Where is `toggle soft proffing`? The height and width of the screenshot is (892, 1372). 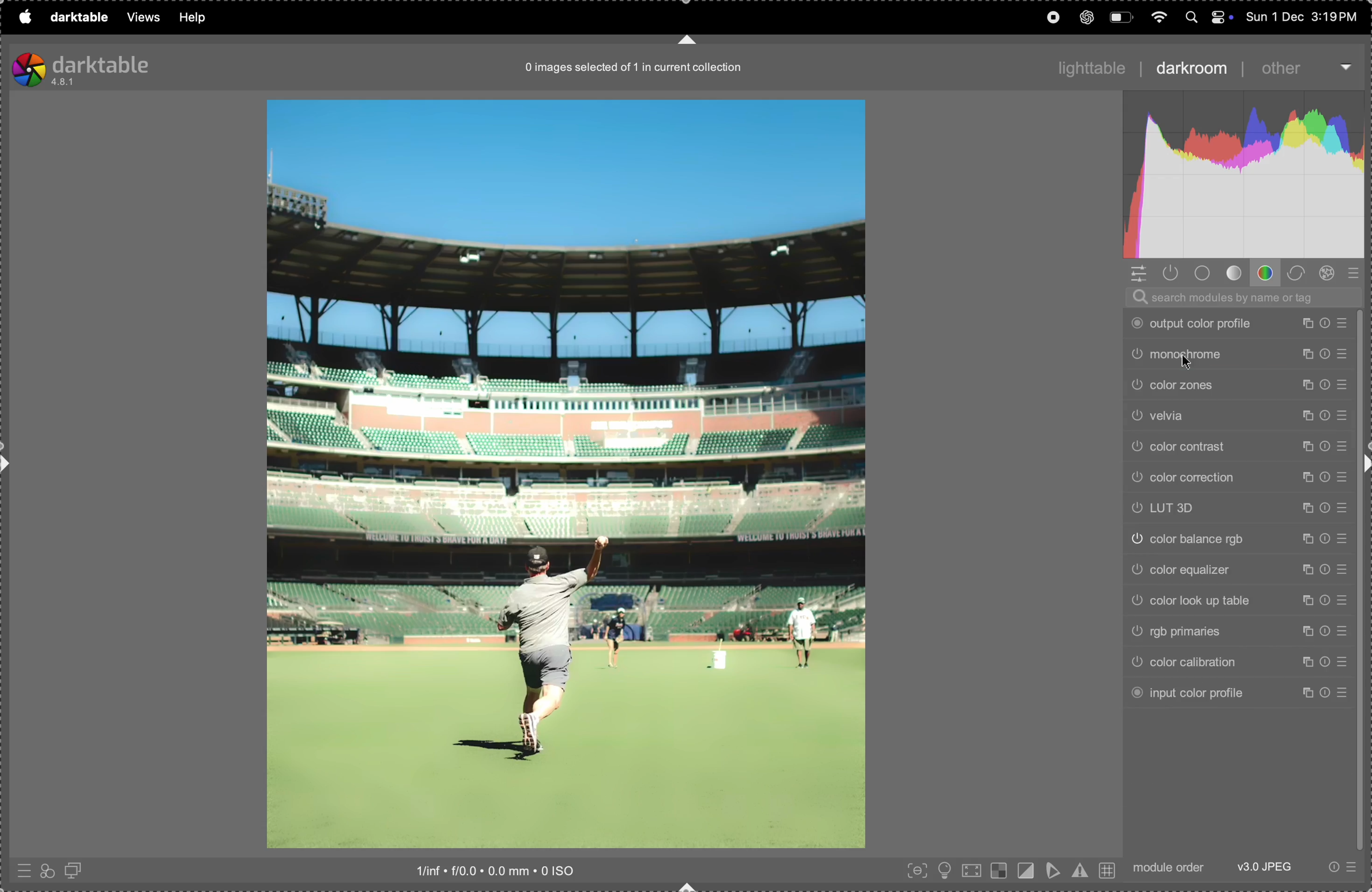
toggle soft proffing is located at coordinates (1051, 871).